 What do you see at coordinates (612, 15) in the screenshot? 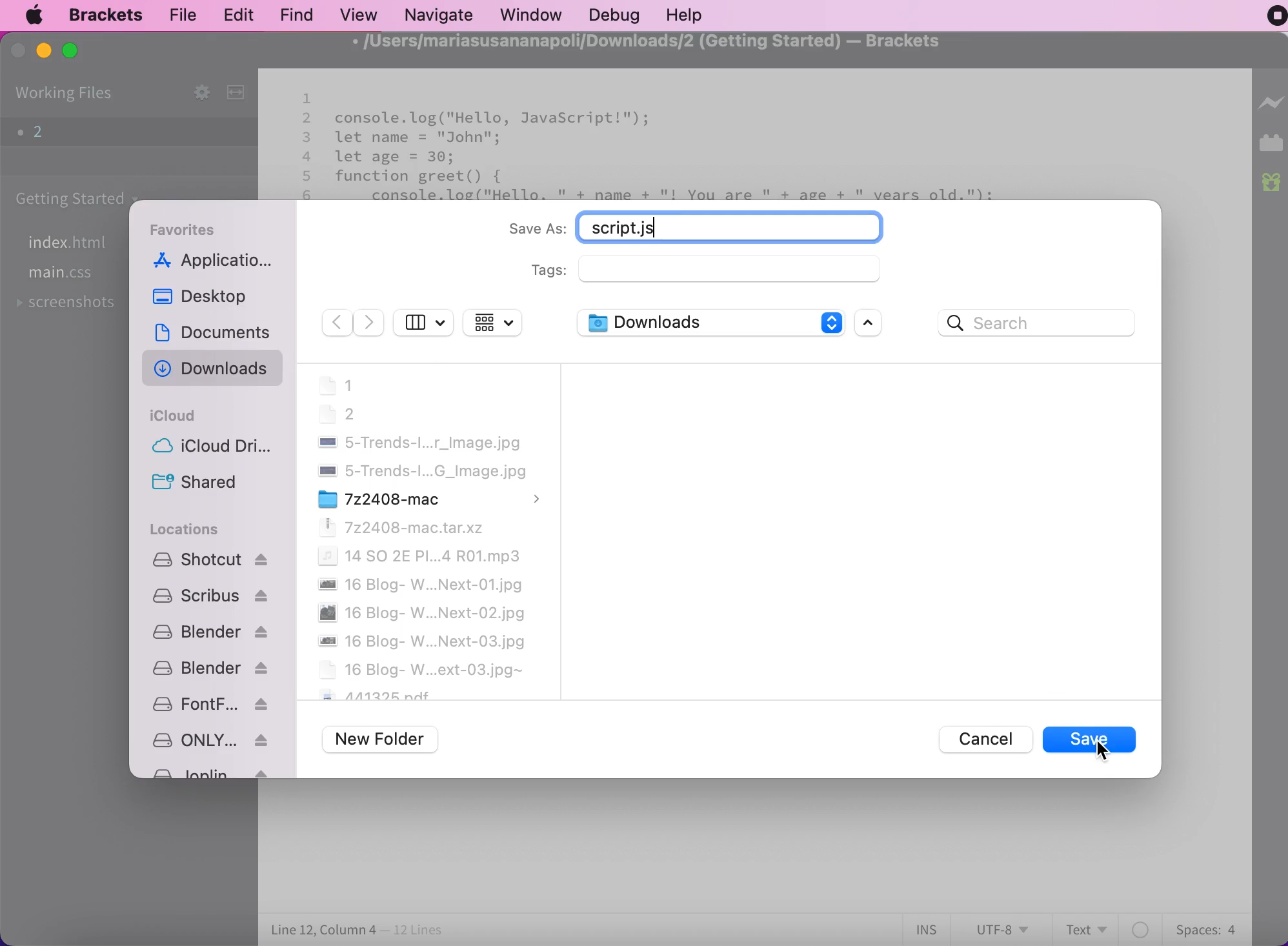
I see `debug` at bounding box center [612, 15].